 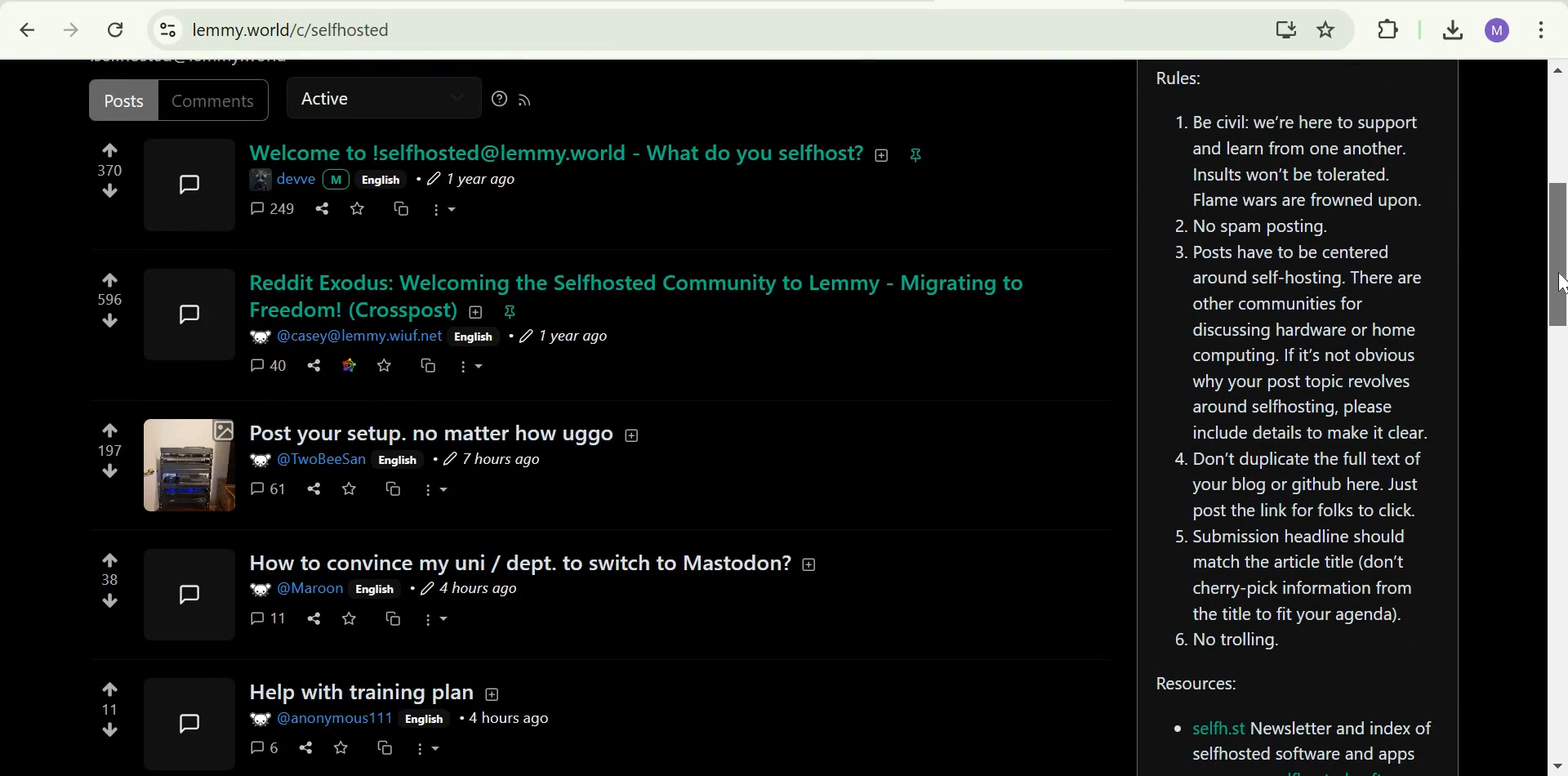 What do you see at coordinates (269, 366) in the screenshot?
I see `40 comments` at bounding box center [269, 366].